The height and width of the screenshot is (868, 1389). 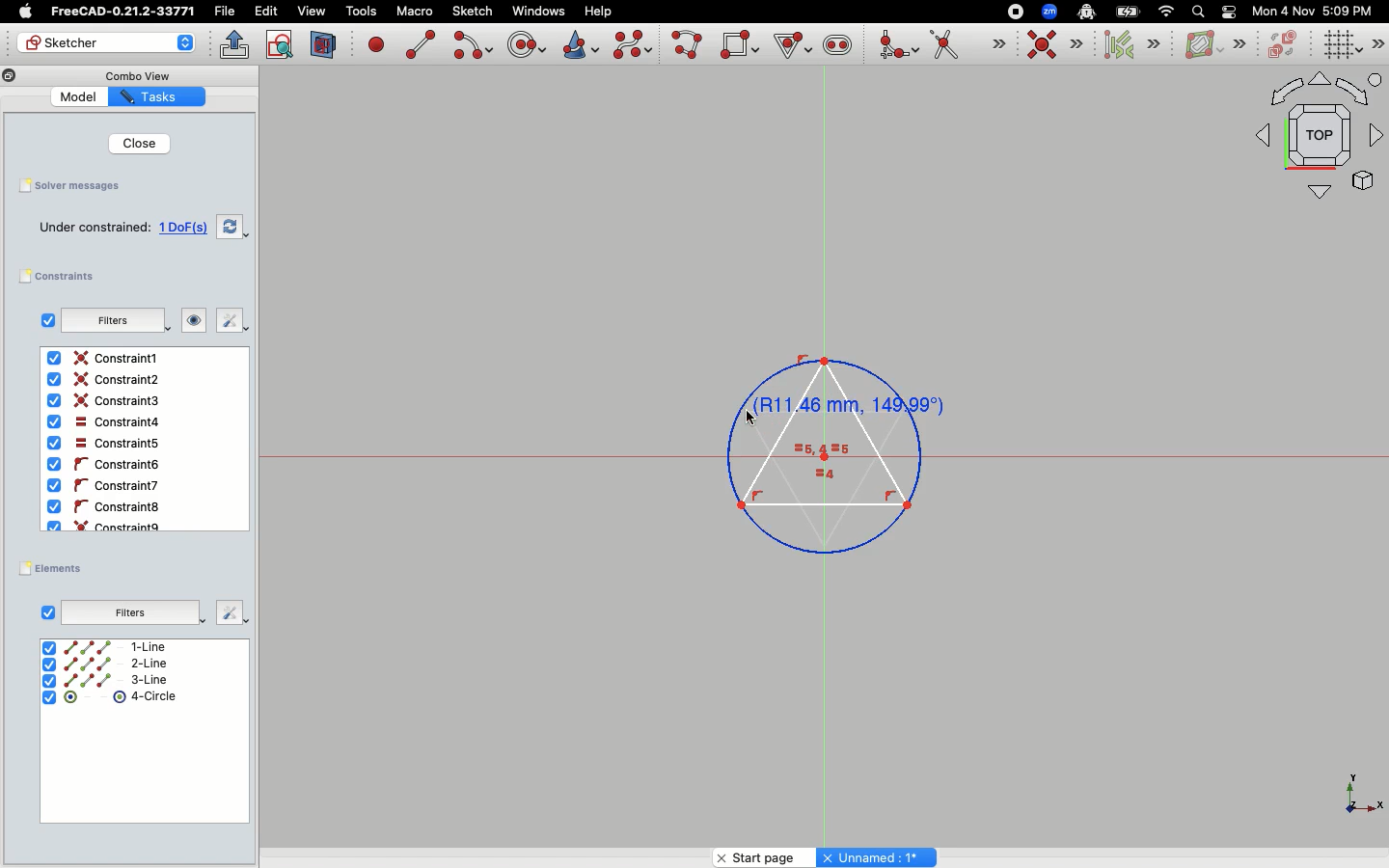 What do you see at coordinates (1055, 45) in the screenshot?
I see `Constraint coincident` at bounding box center [1055, 45].